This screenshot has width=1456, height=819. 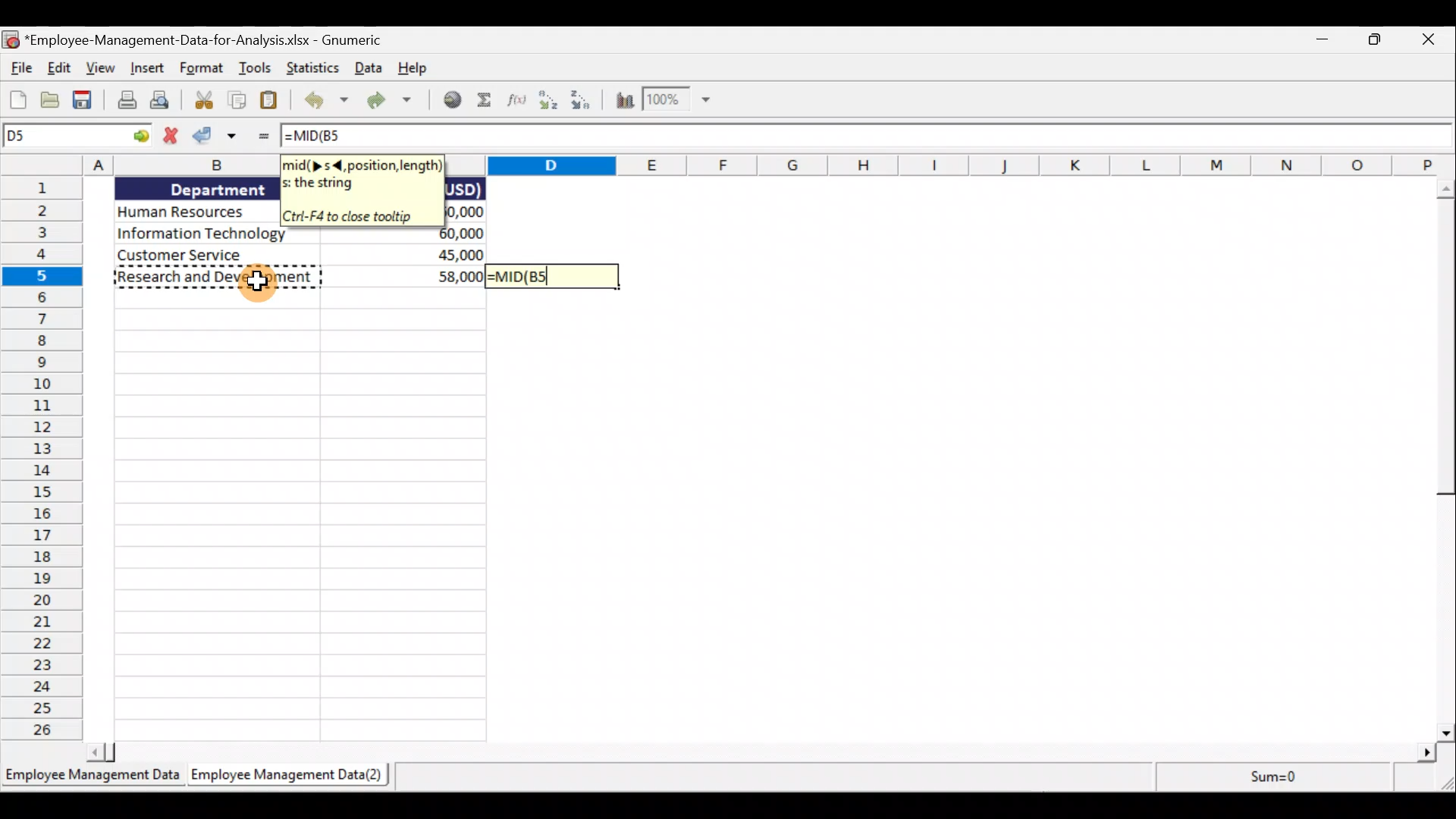 I want to click on Columns, so click(x=144, y=168).